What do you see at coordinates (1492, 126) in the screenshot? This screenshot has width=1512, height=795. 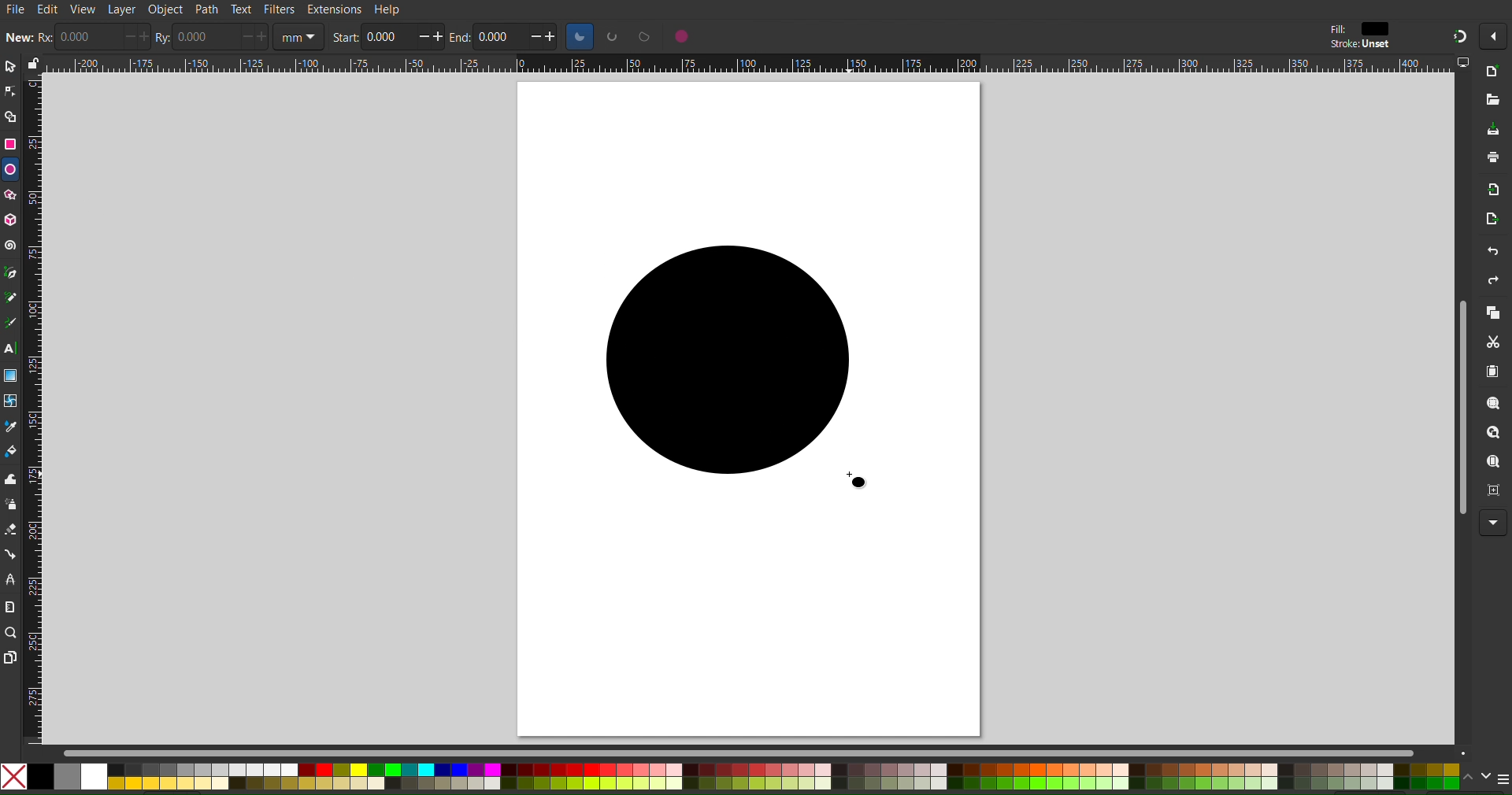 I see `Save` at bounding box center [1492, 126].